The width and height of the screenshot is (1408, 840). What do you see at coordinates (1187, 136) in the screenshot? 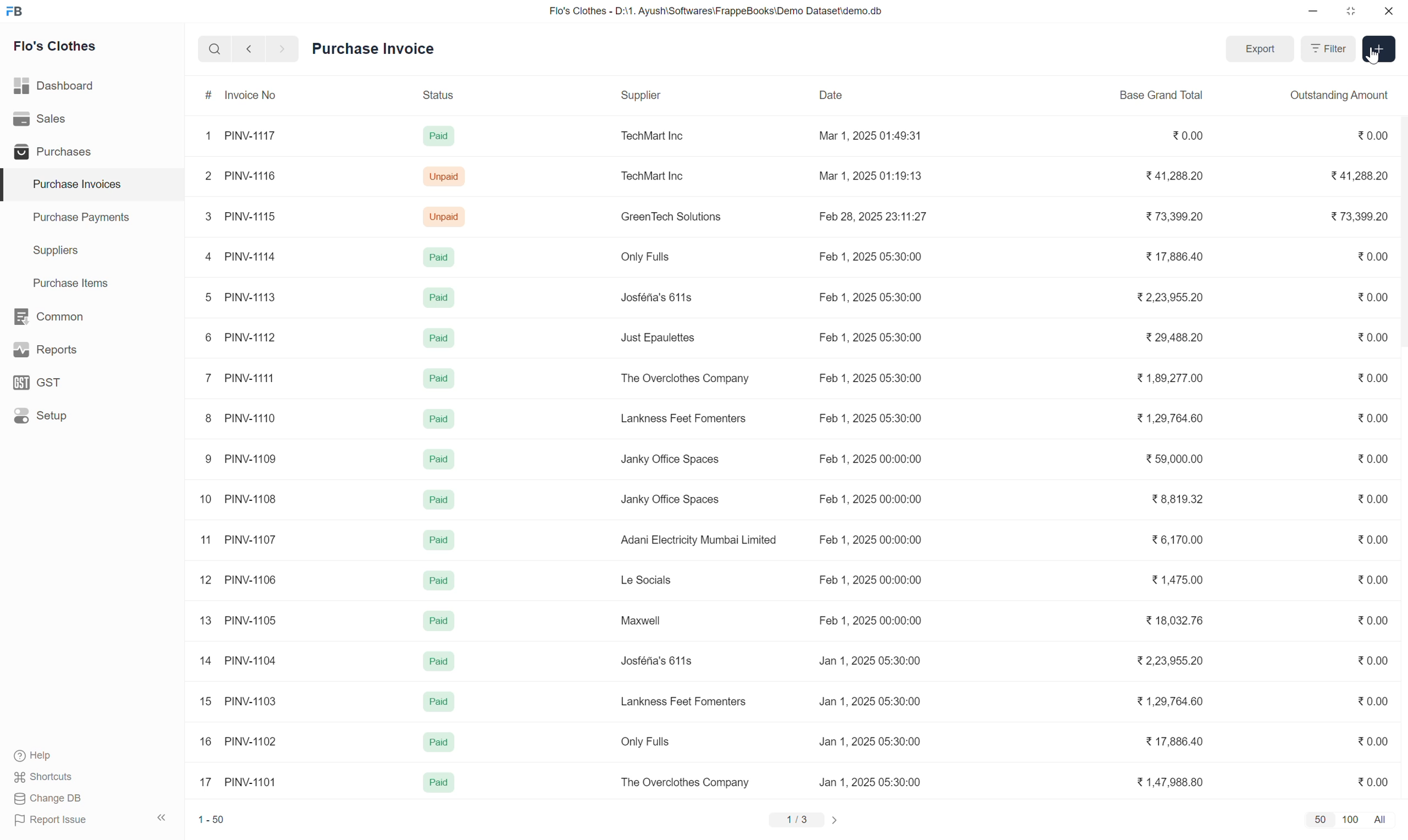
I see `0.00` at bounding box center [1187, 136].